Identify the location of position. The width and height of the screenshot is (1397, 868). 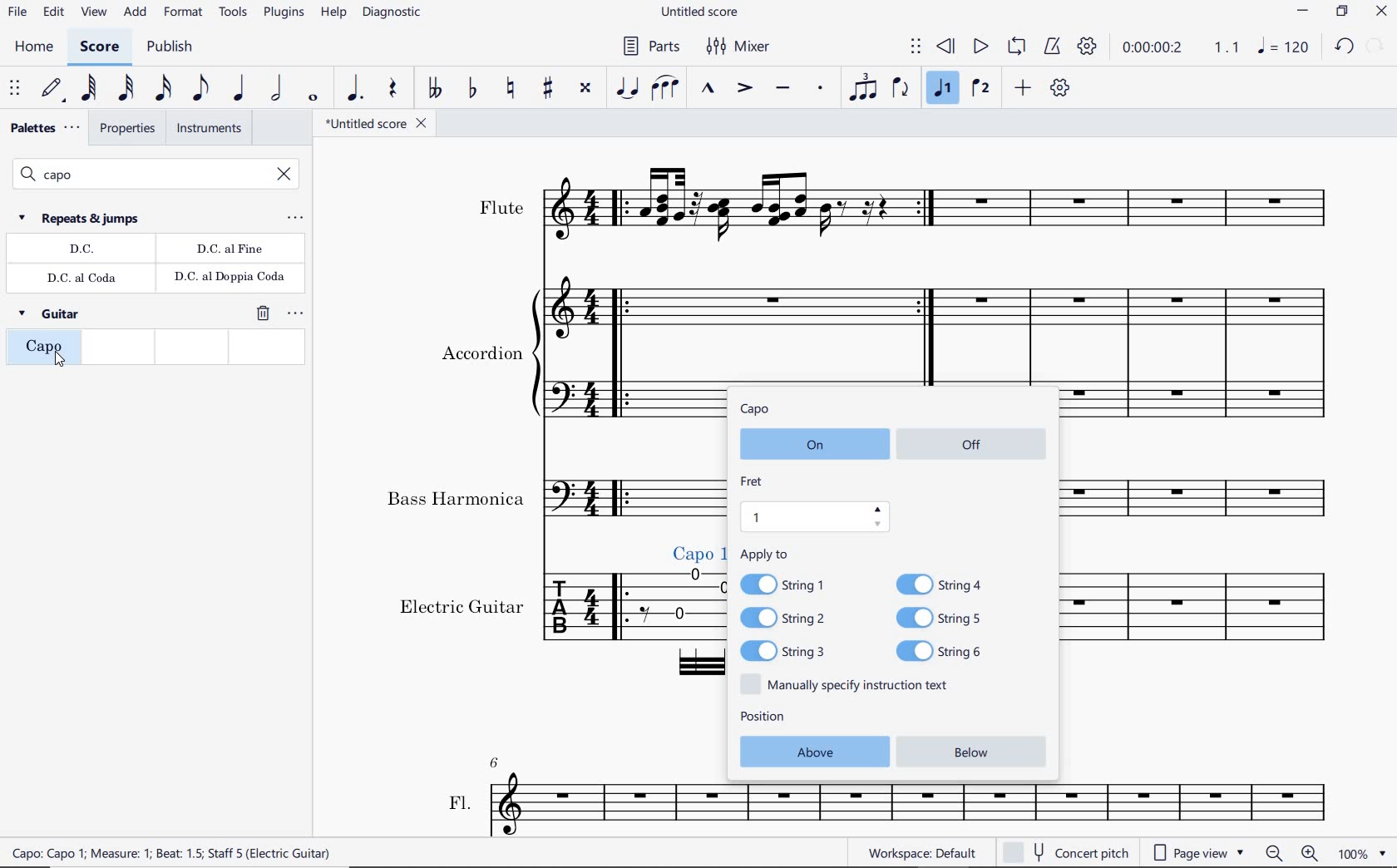
(763, 718).